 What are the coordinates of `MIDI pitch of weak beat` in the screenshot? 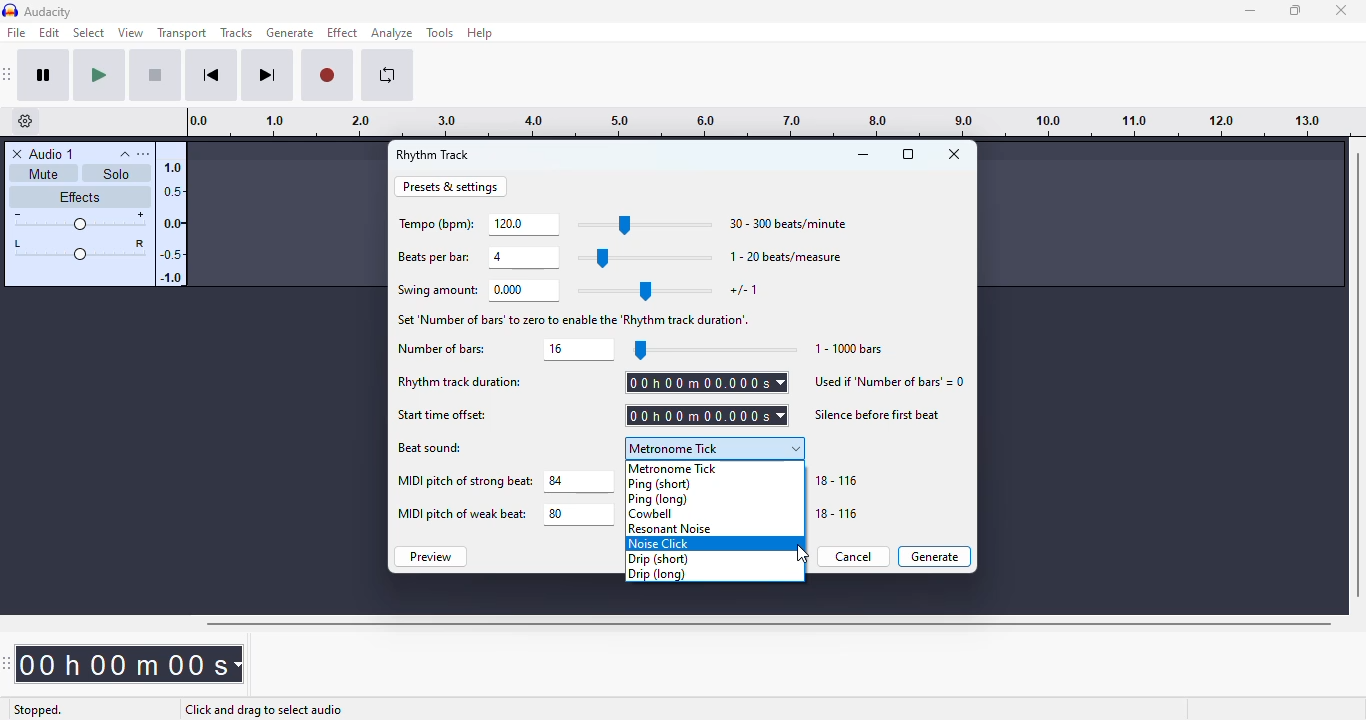 It's located at (462, 515).